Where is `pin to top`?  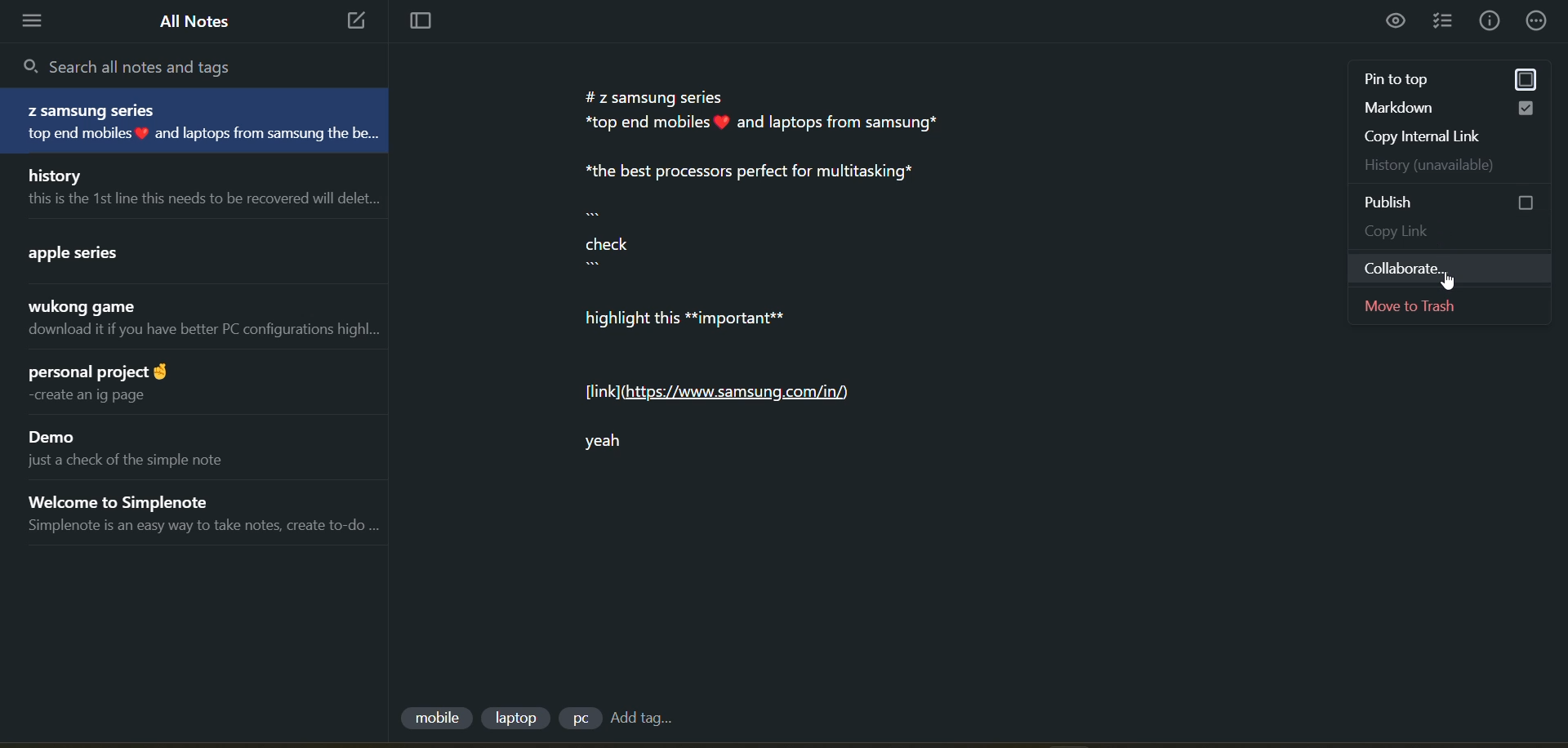
pin to top is located at coordinates (1456, 82).